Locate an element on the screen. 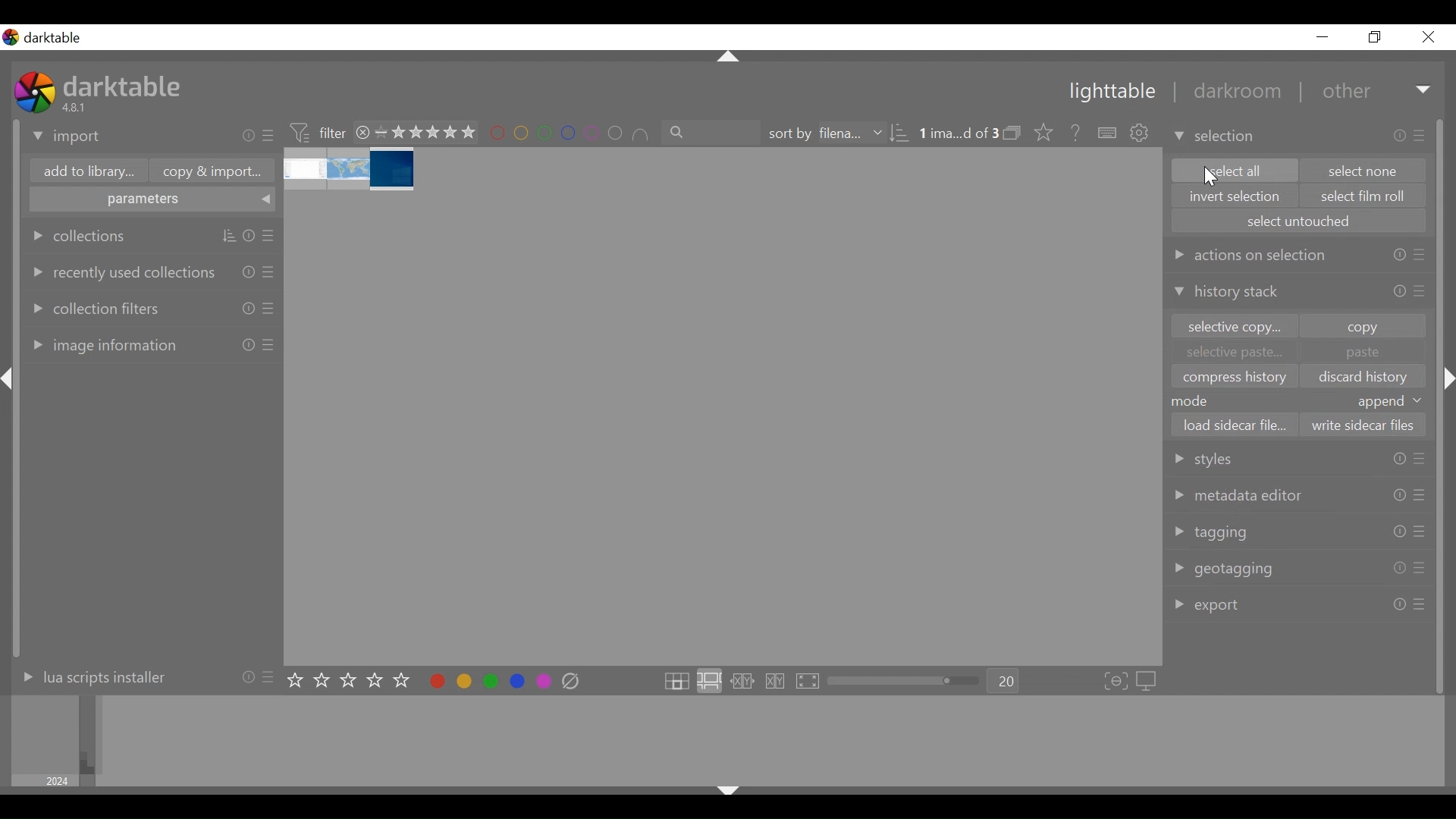 The image size is (1456, 819). logo is located at coordinates (11, 37).